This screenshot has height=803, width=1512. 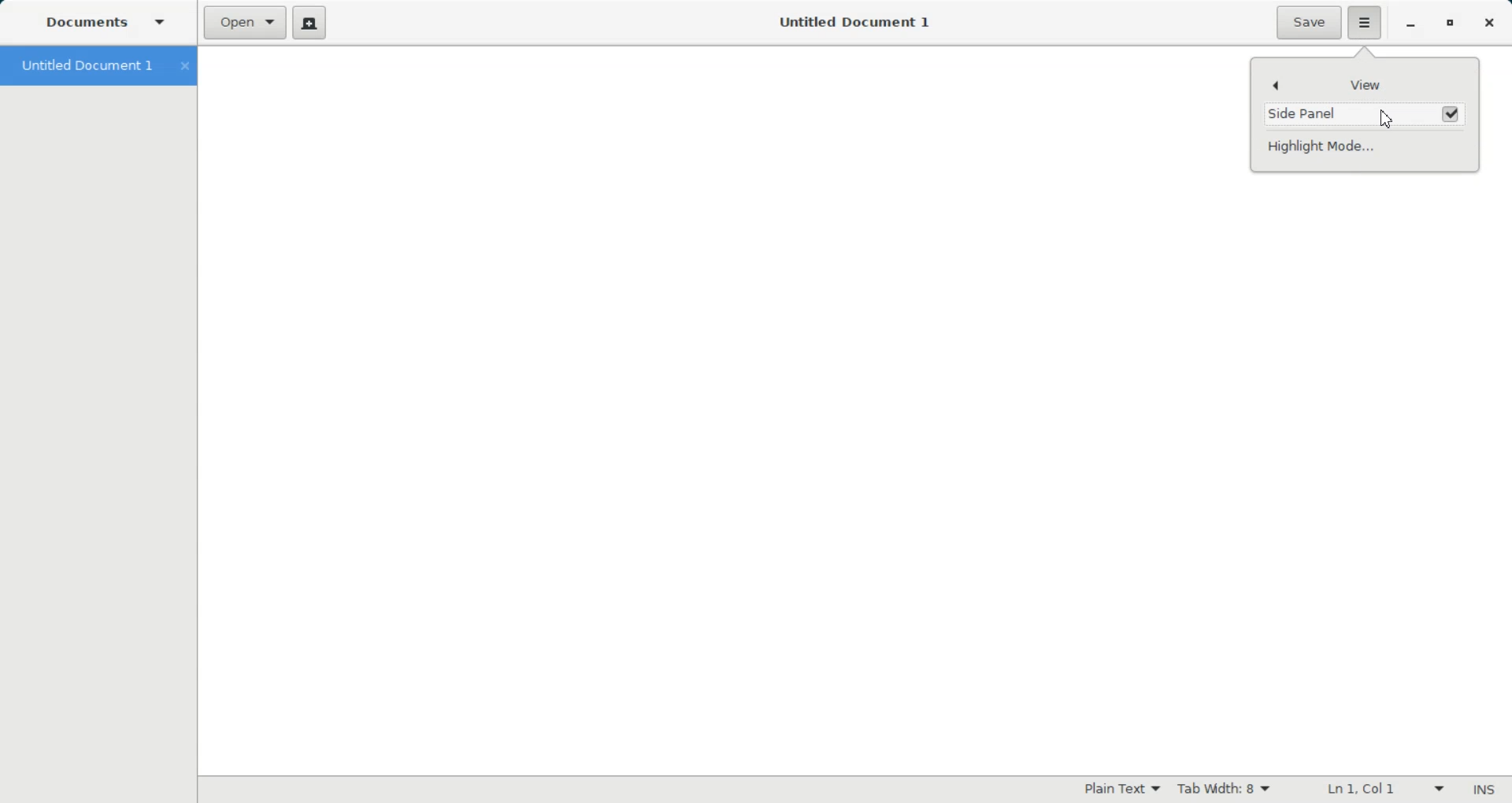 I want to click on Highlighting Mode, so click(x=1122, y=790).